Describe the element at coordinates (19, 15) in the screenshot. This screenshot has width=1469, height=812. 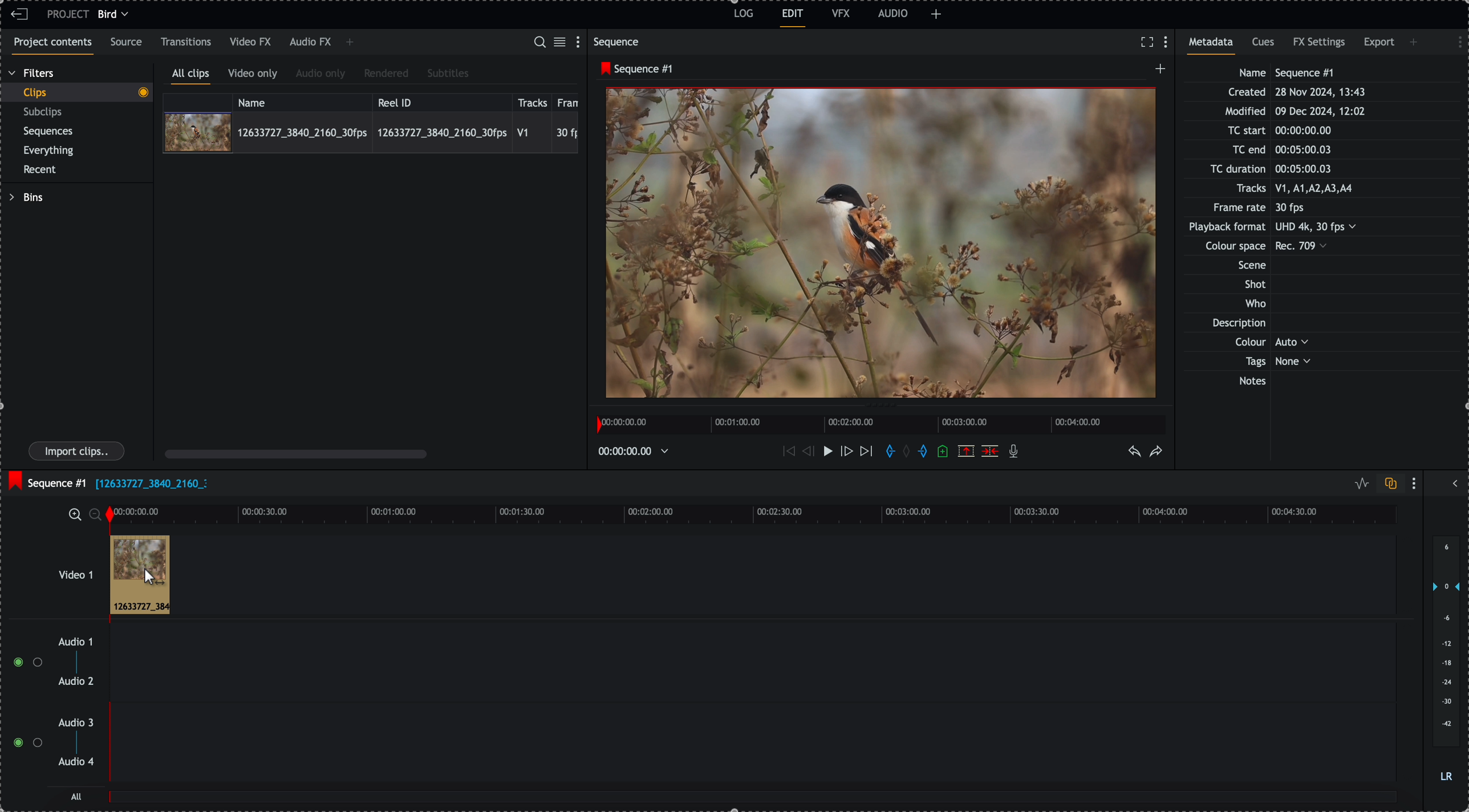
I see `leave` at that location.